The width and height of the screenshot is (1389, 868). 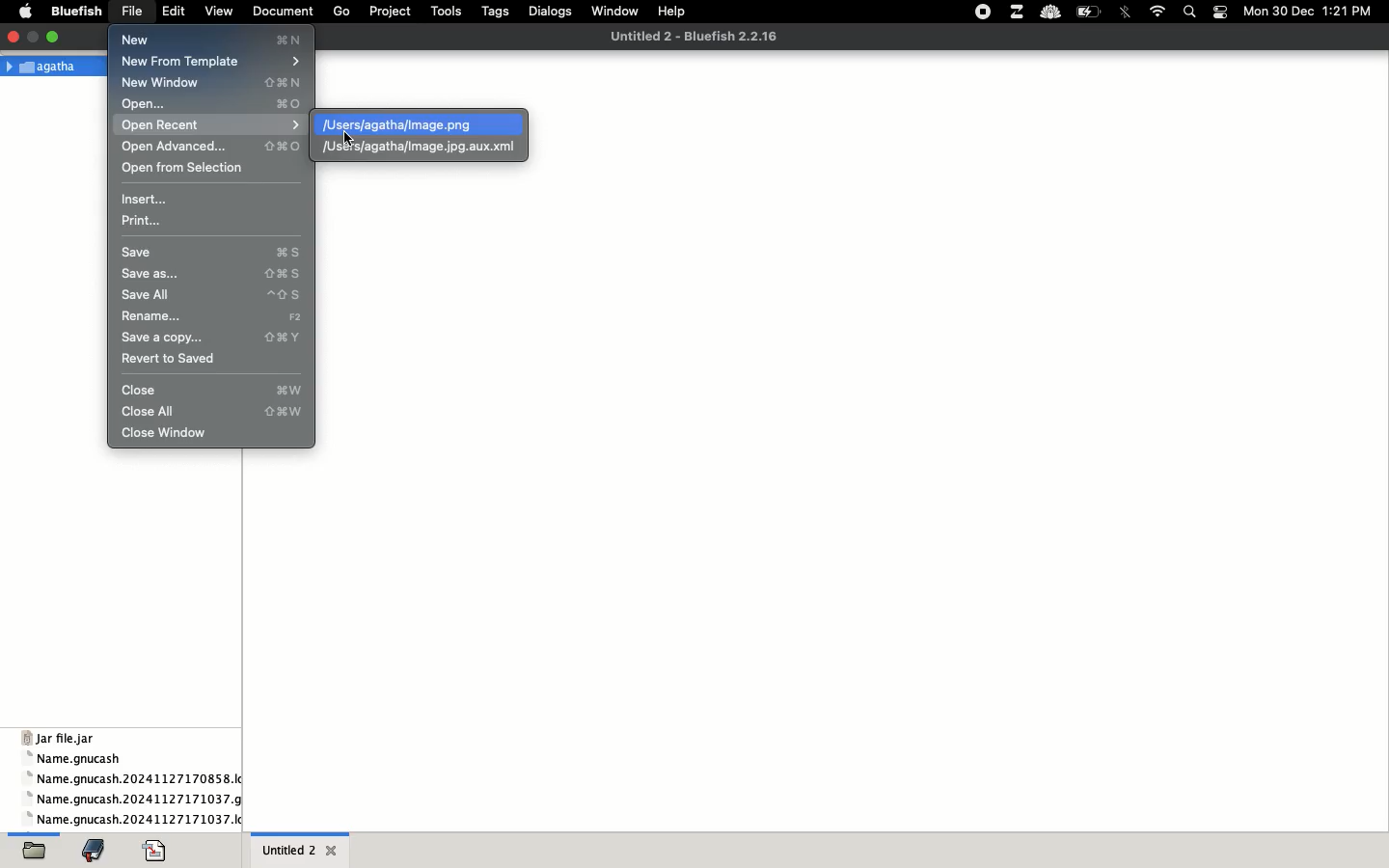 What do you see at coordinates (221, 13) in the screenshot?
I see `view` at bounding box center [221, 13].